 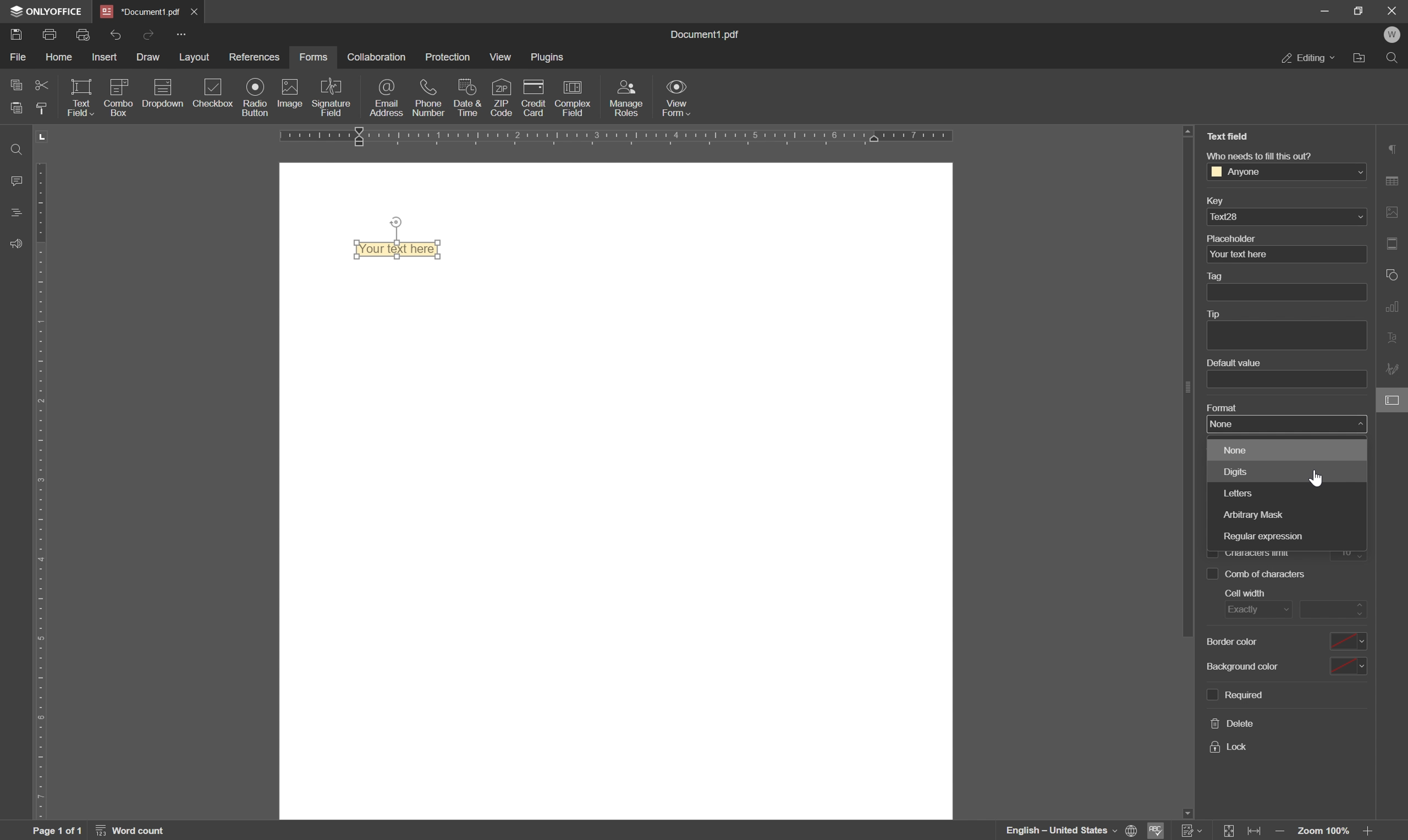 I want to click on complex field, so click(x=576, y=97).